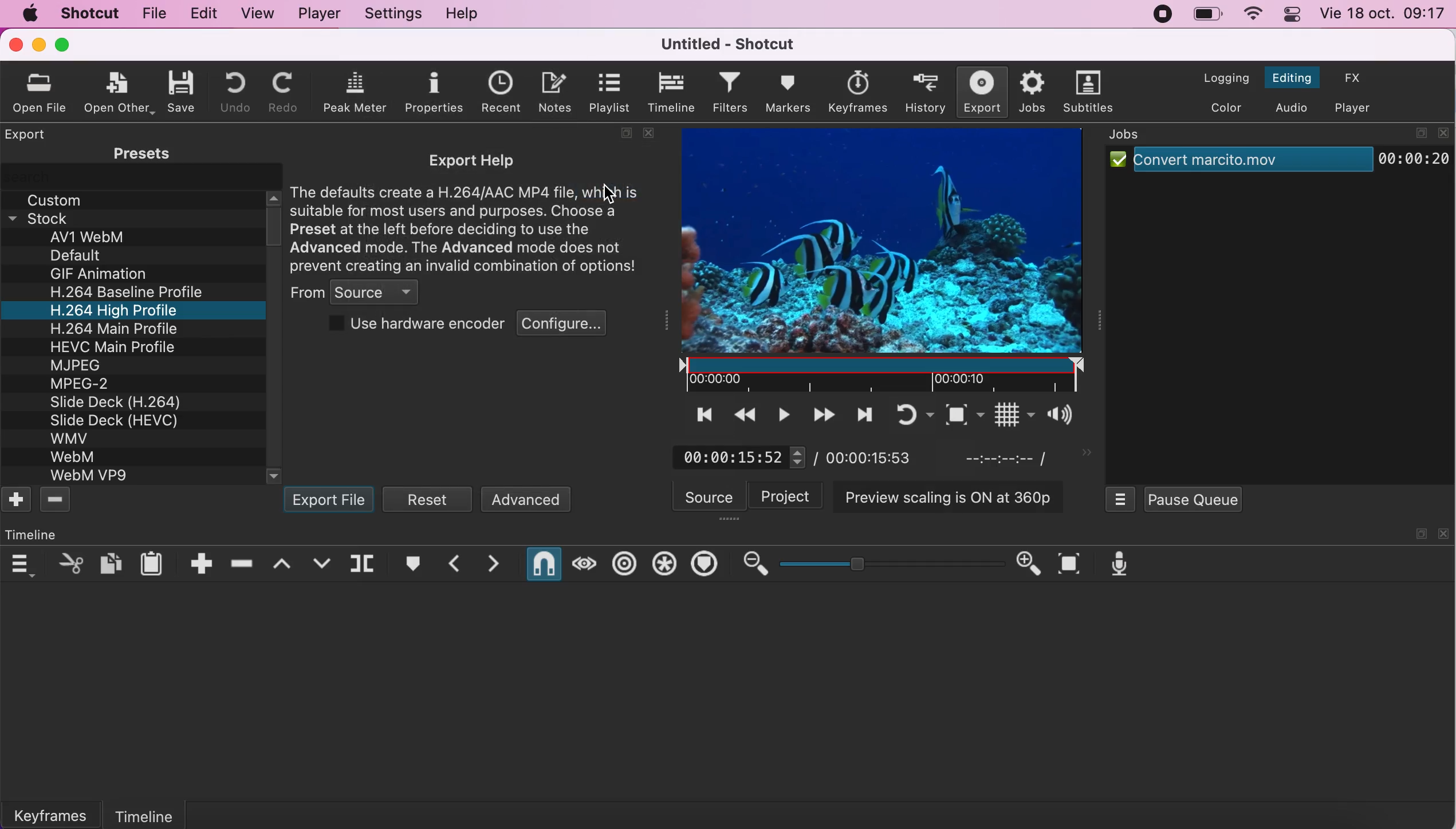  Describe the element at coordinates (14, 44) in the screenshot. I see `close` at that location.